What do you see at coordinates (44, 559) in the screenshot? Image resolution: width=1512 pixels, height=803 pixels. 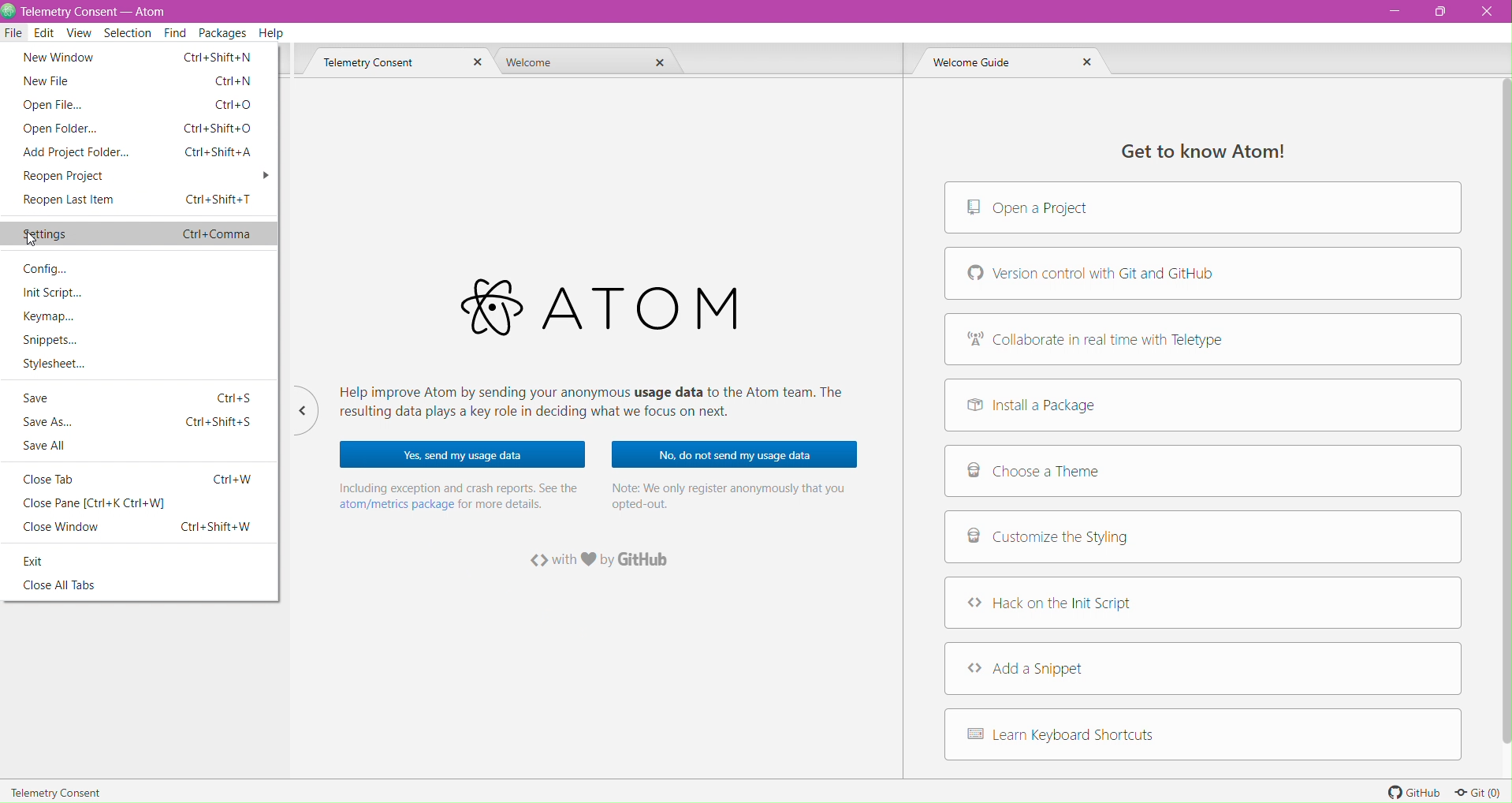 I see `Exit` at bounding box center [44, 559].